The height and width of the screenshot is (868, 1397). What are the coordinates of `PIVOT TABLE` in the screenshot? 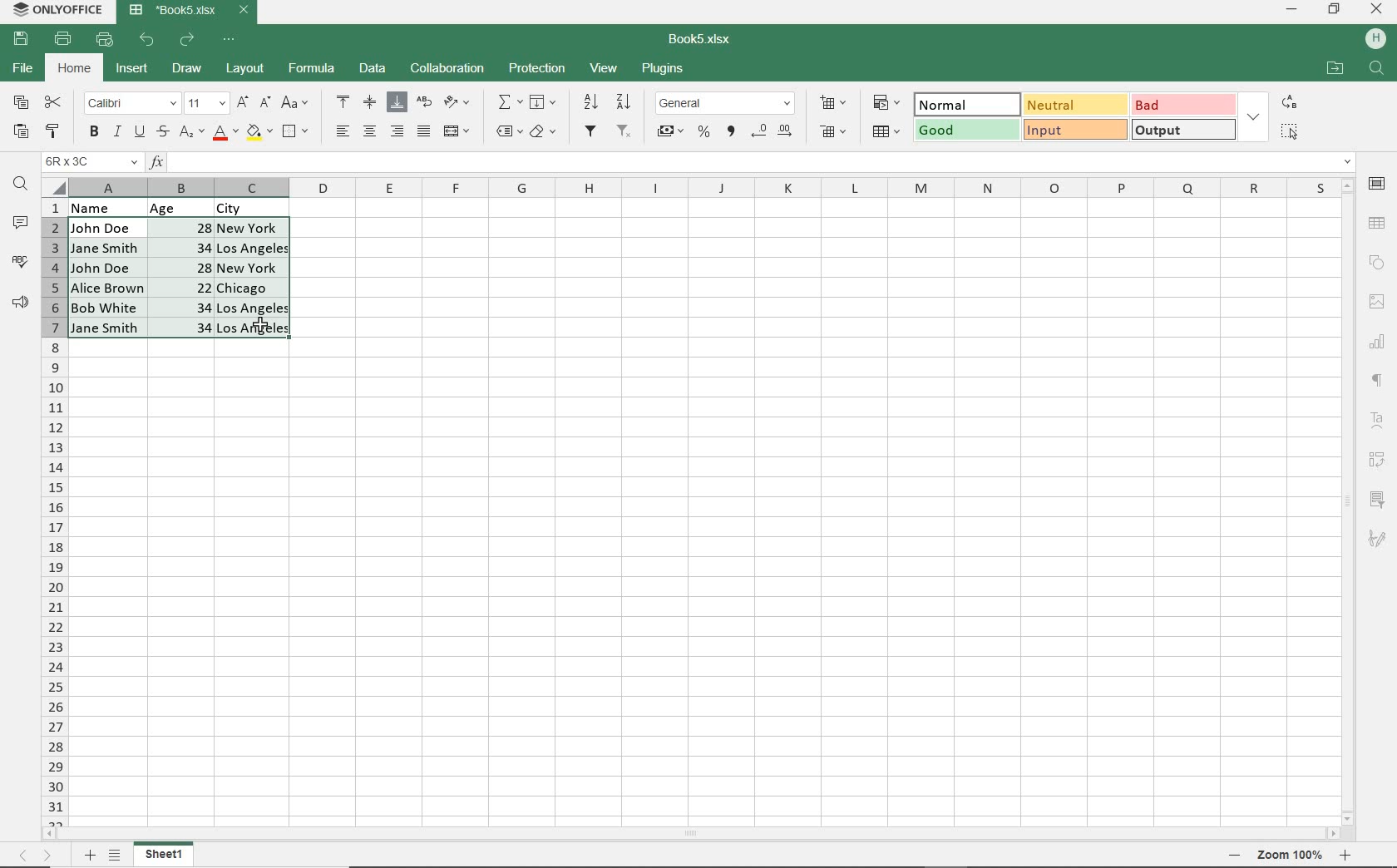 It's located at (1379, 460).